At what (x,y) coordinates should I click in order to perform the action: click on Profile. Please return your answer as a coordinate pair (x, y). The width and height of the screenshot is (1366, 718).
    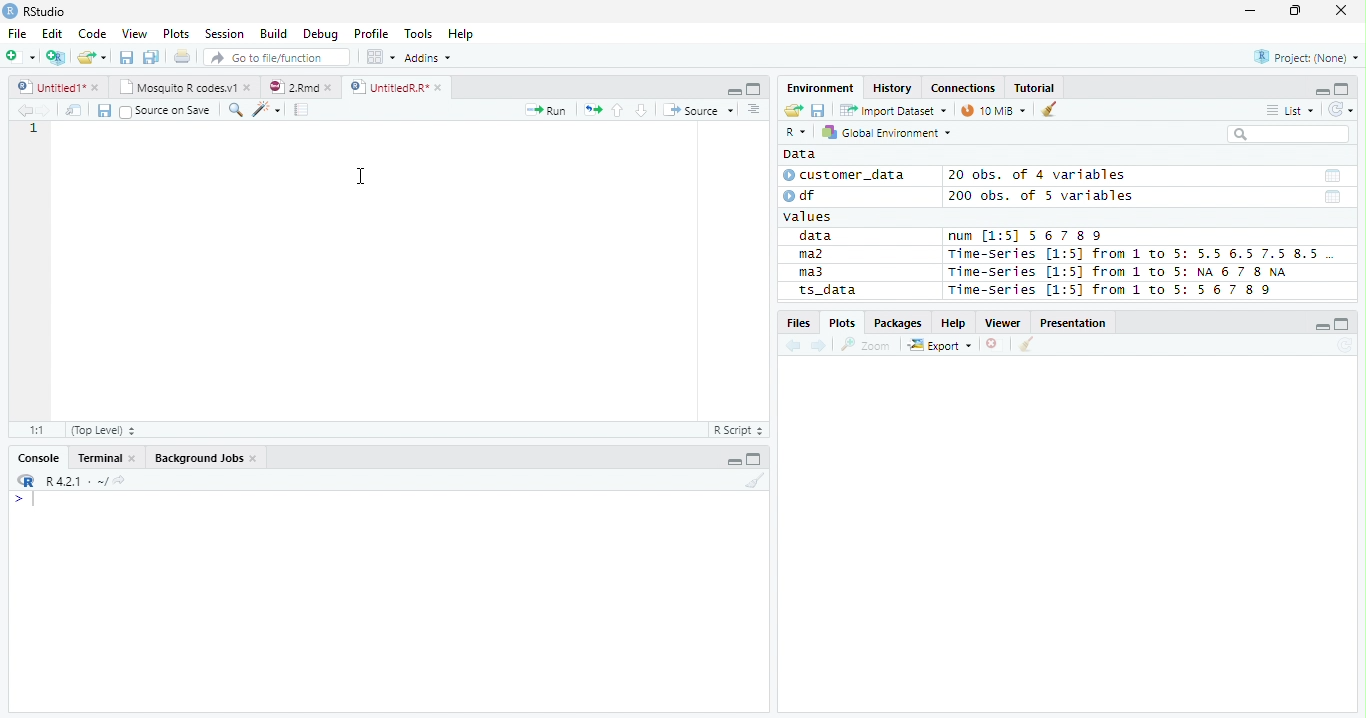
    Looking at the image, I should click on (370, 34).